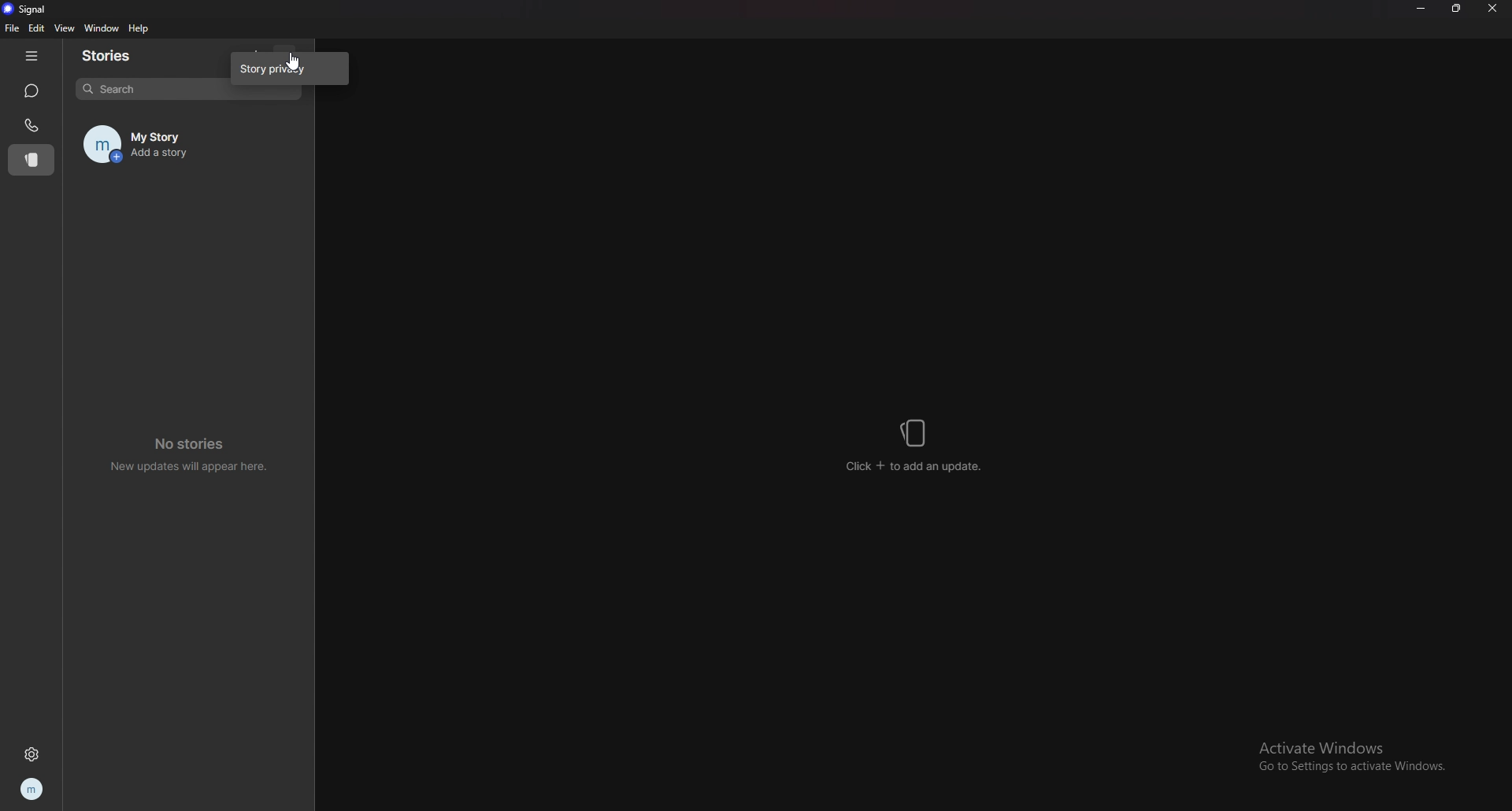 This screenshot has height=811, width=1512. What do you see at coordinates (210, 132) in the screenshot?
I see `my story` at bounding box center [210, 132].